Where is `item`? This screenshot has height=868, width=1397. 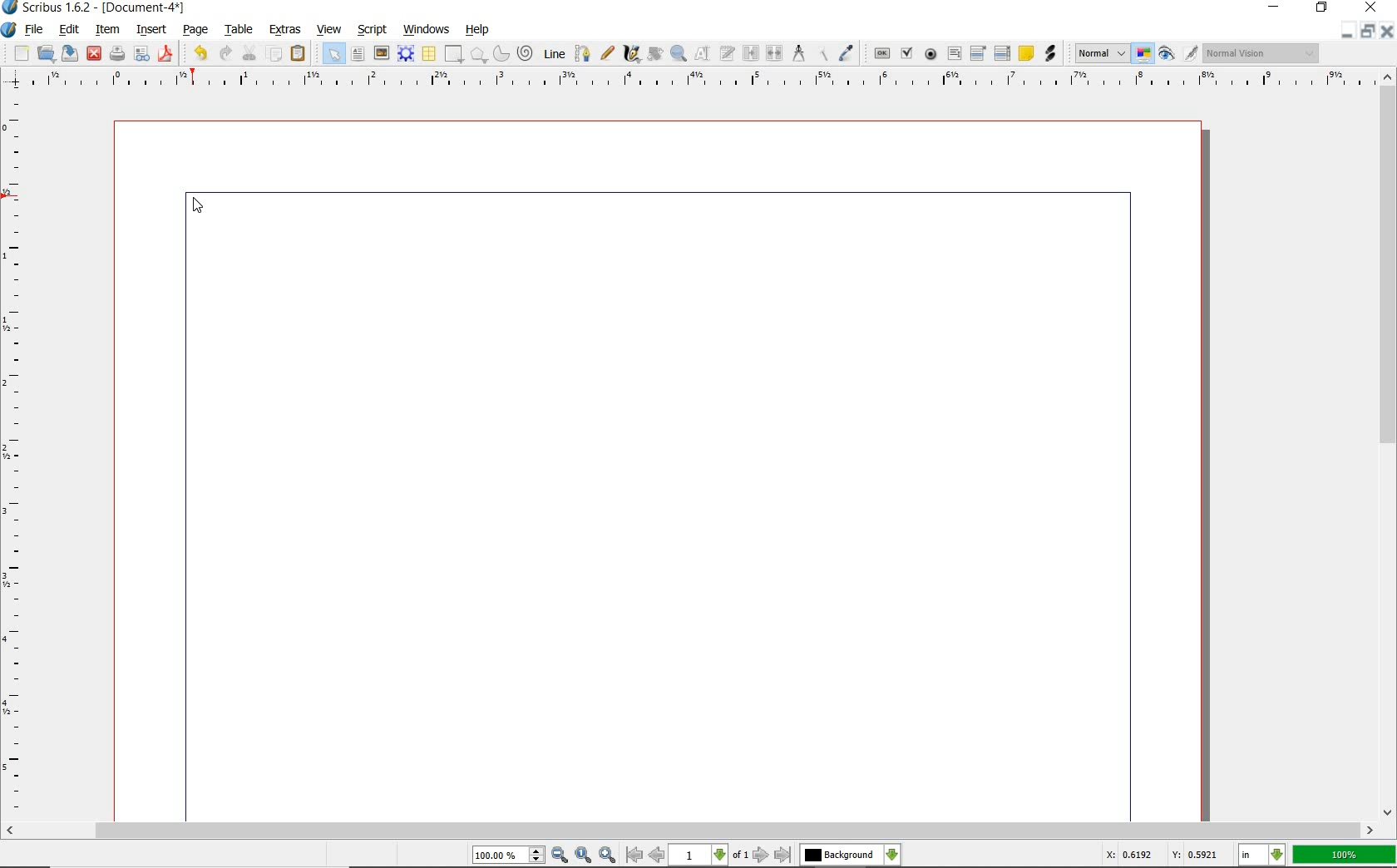
item is located at coordinates (106, 29).